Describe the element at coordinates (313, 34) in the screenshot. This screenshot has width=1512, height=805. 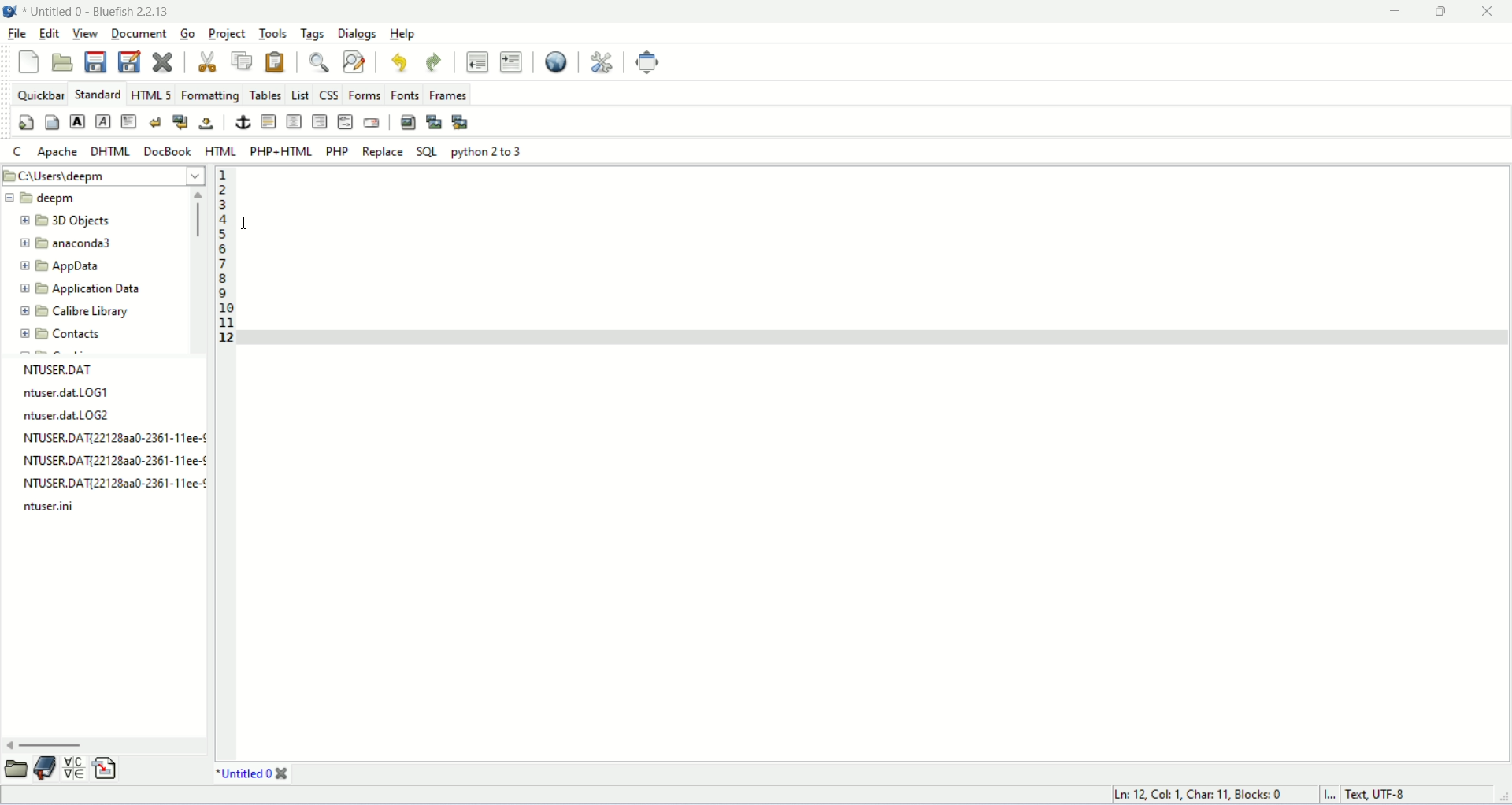
I see `tags` at that location.